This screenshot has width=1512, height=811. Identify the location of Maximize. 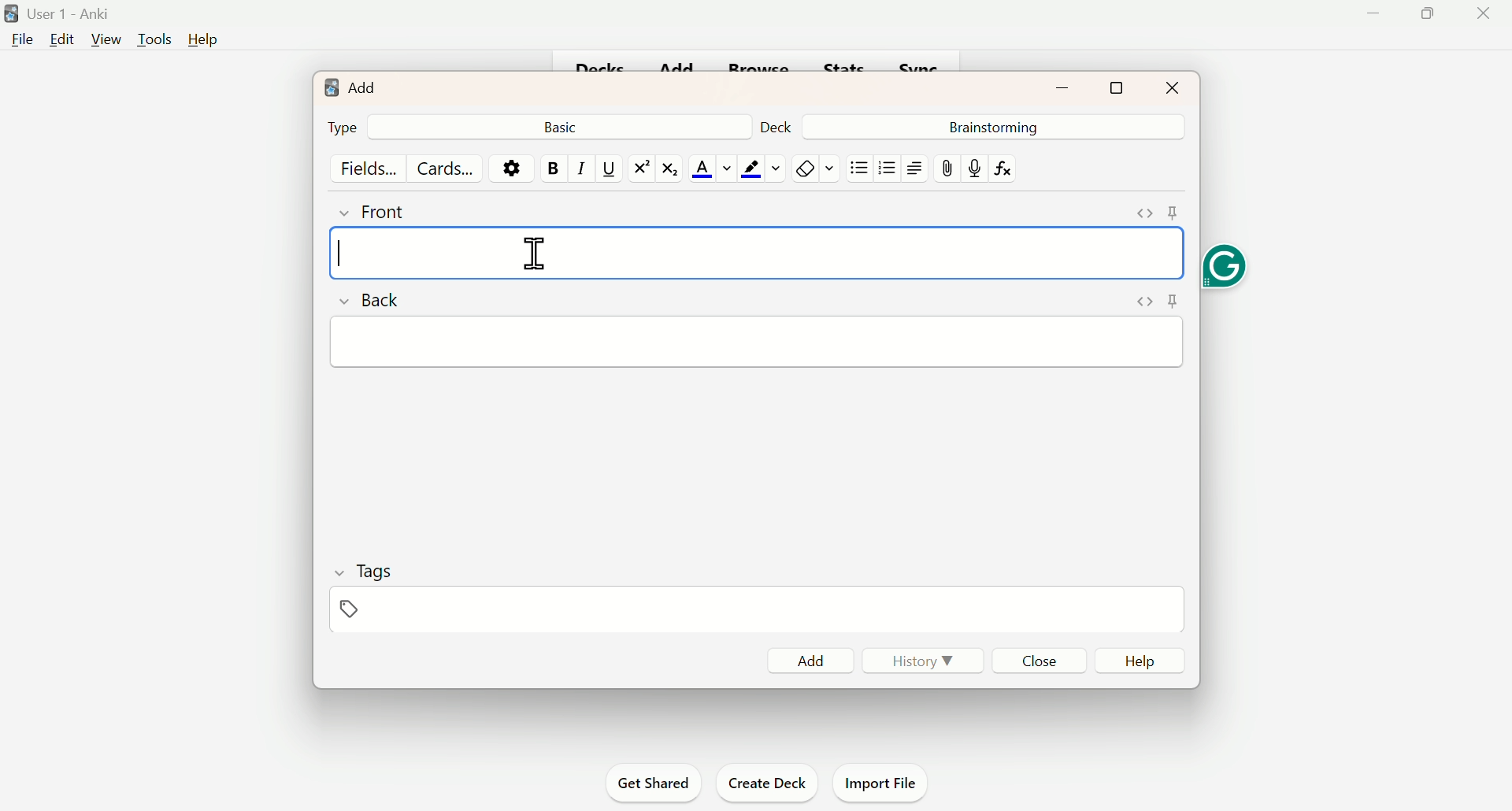
(1117, 85).